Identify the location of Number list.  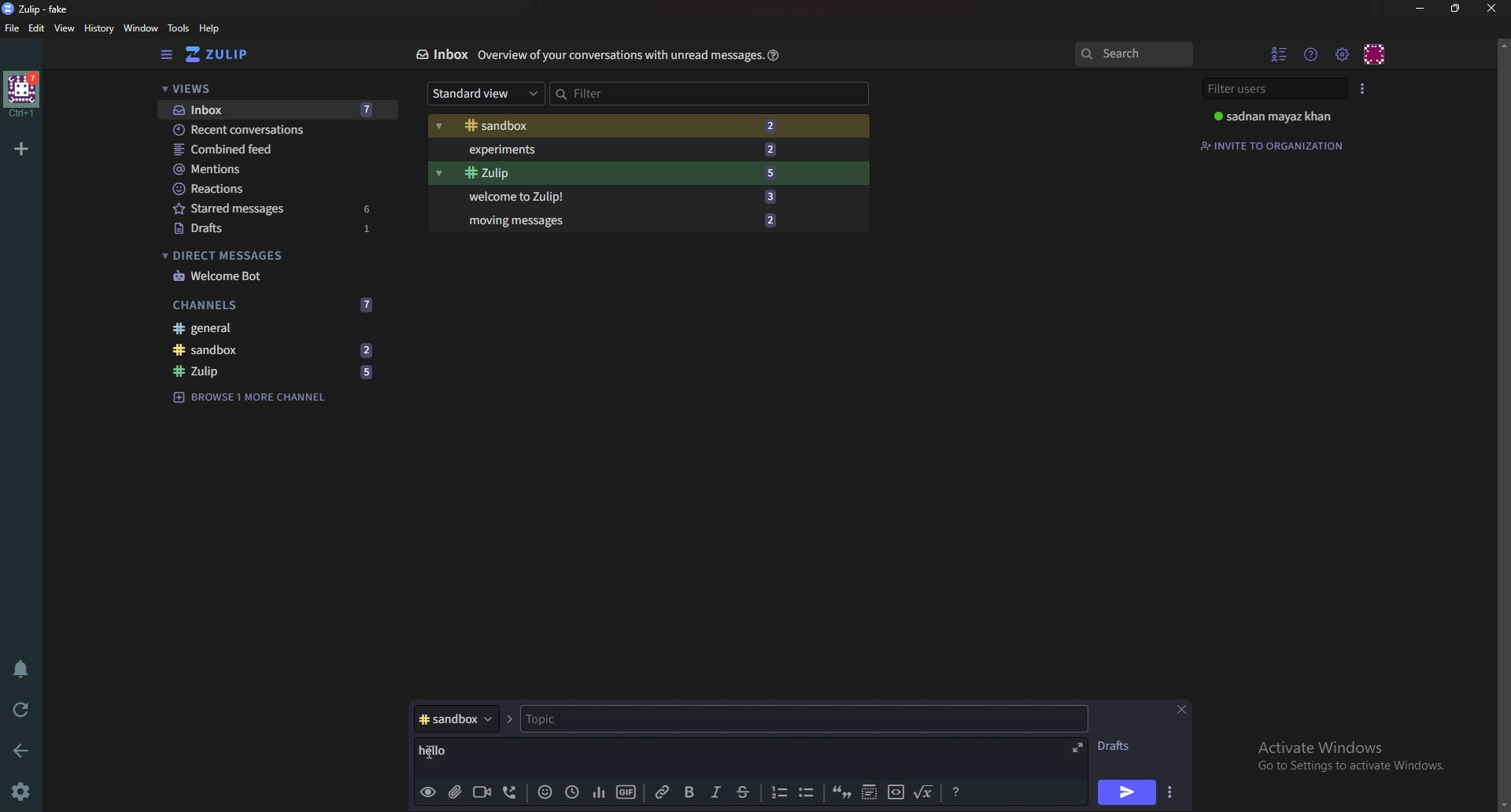
(777, 792).